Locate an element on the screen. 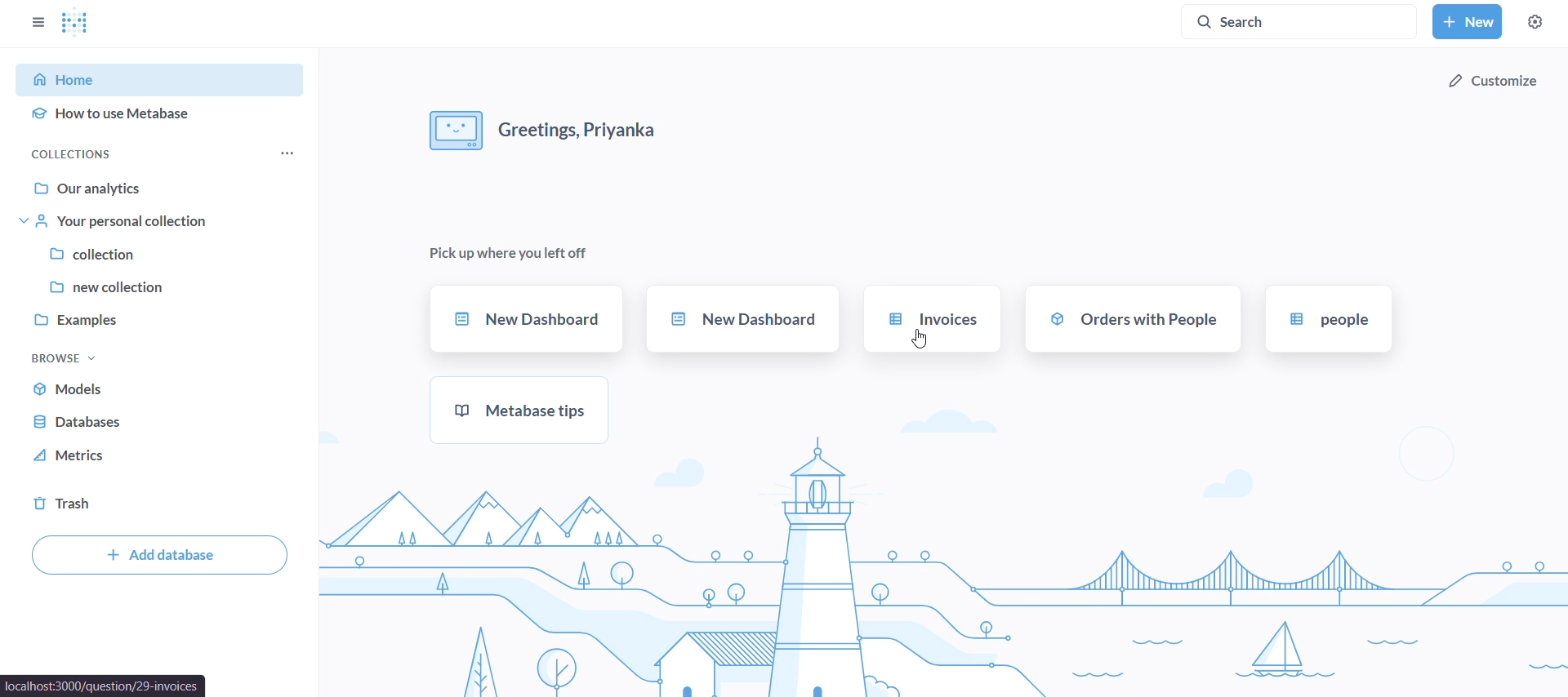 This screenshot has height=697, width=1568. greetings,Priyanka is located at coordinates (545, 128).